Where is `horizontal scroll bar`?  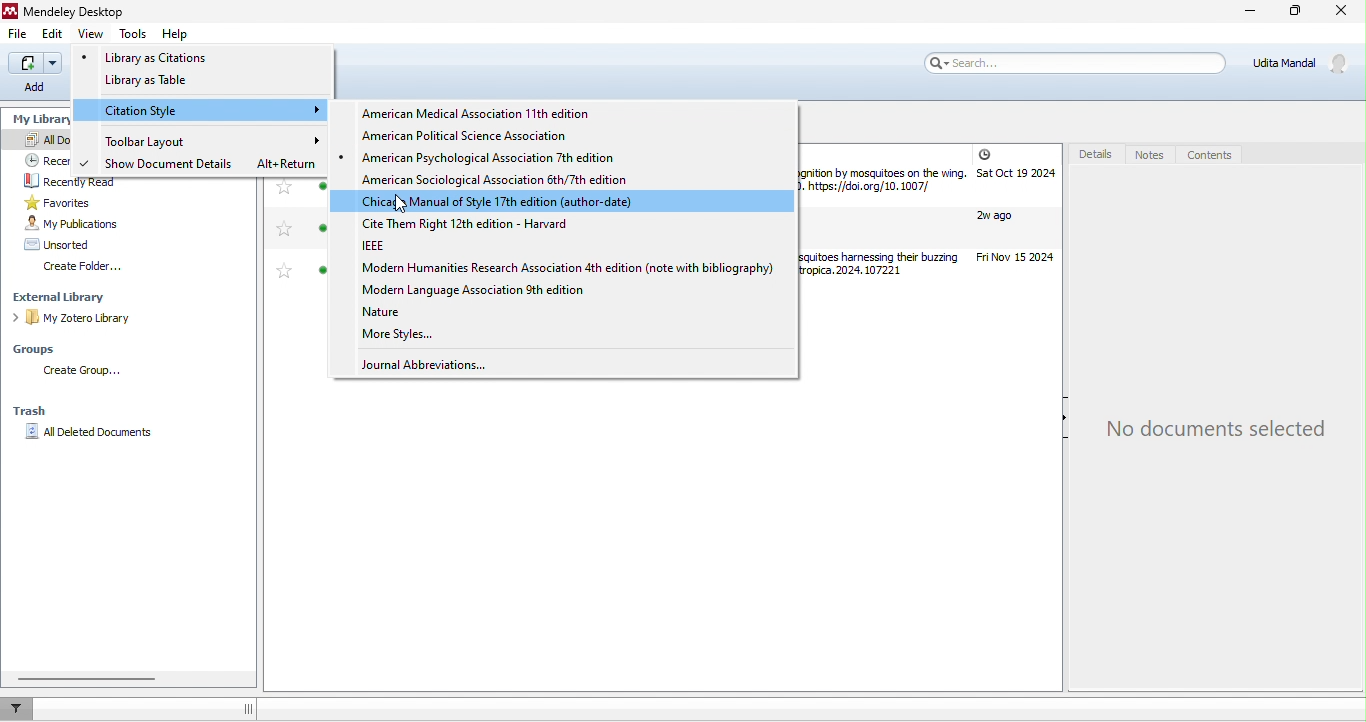 horizontal scroll bar is located at coordinates (88, 677).